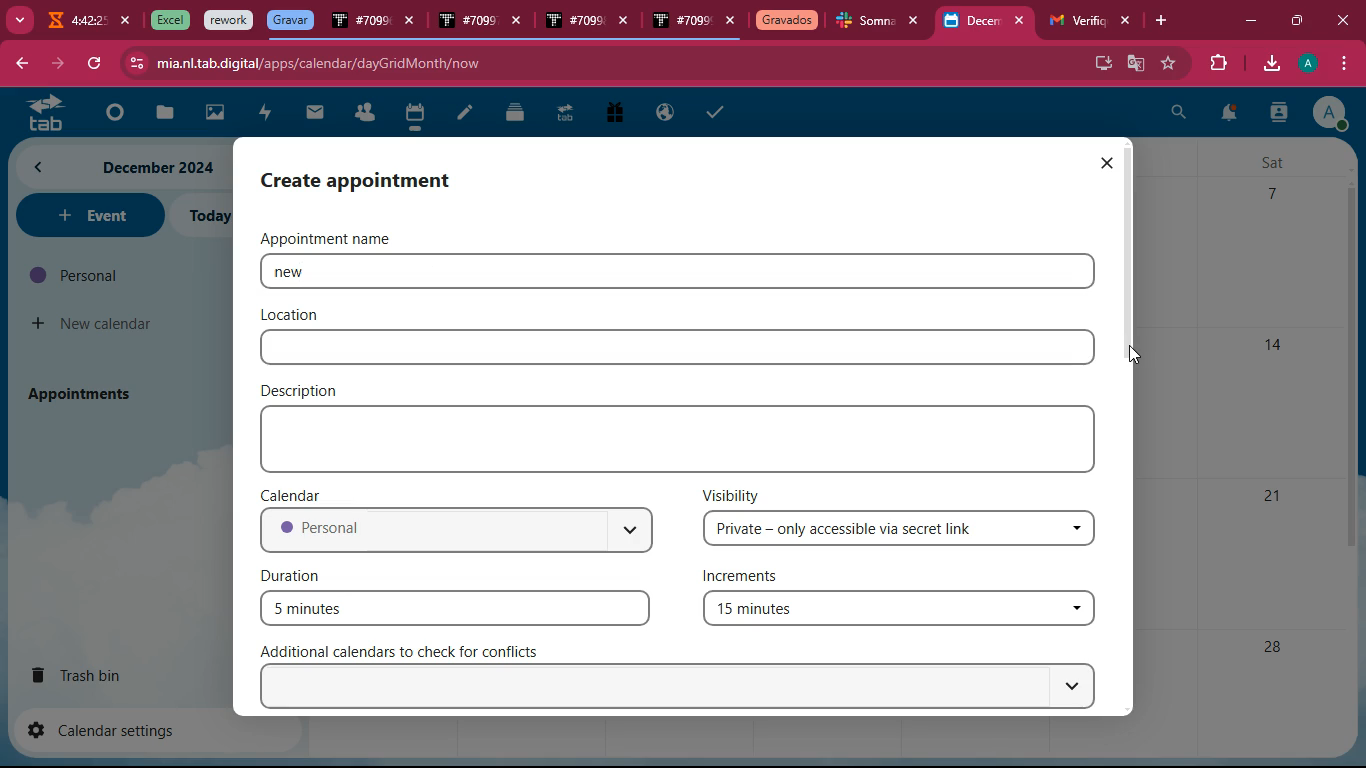 This screenshot has width=1366, height=768. What do you see at coordinates (919, 21) in the screenshot?
I see `close` at bounding box center [919, 21].